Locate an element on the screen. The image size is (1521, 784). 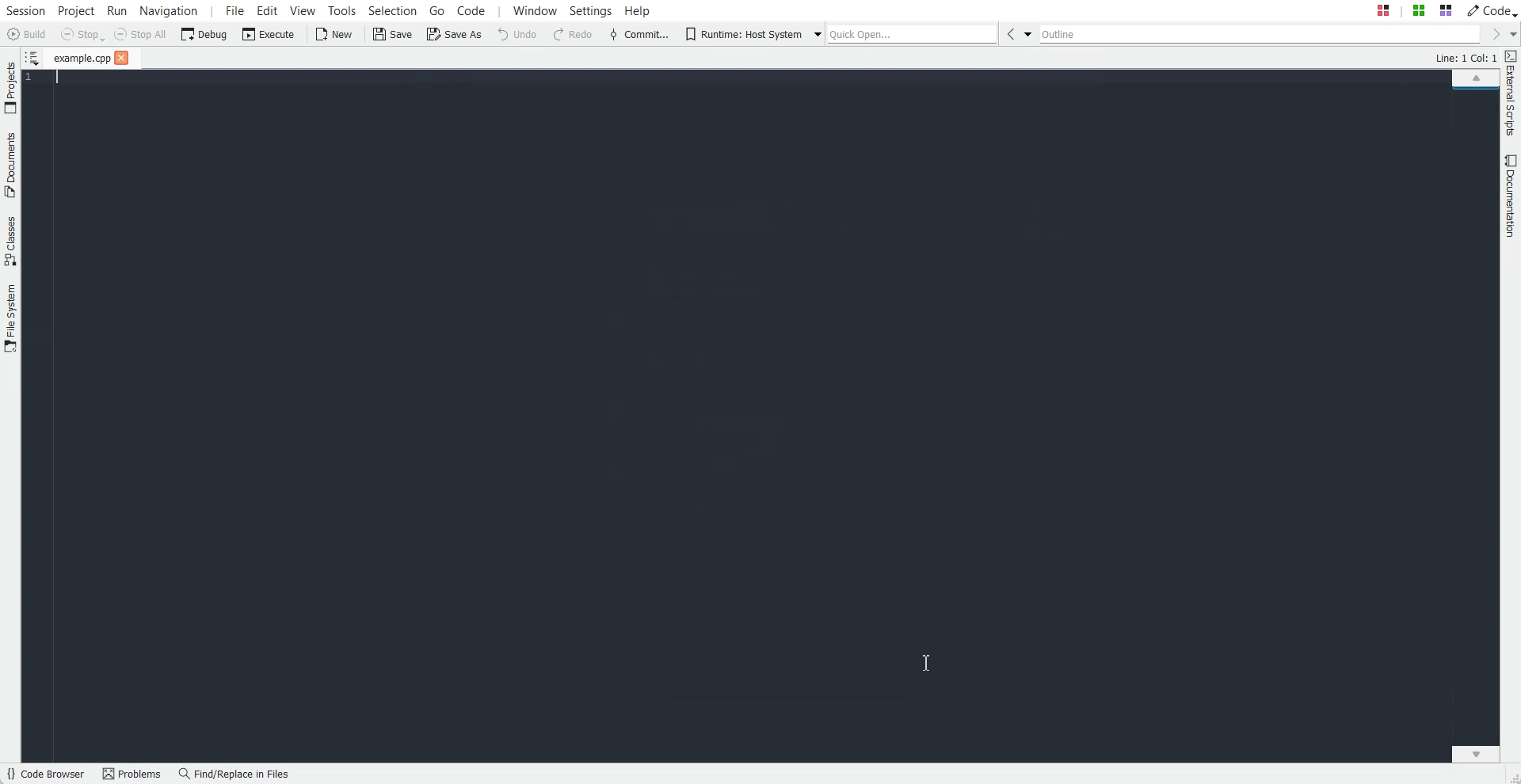
File is located at coordinates (82, 59).